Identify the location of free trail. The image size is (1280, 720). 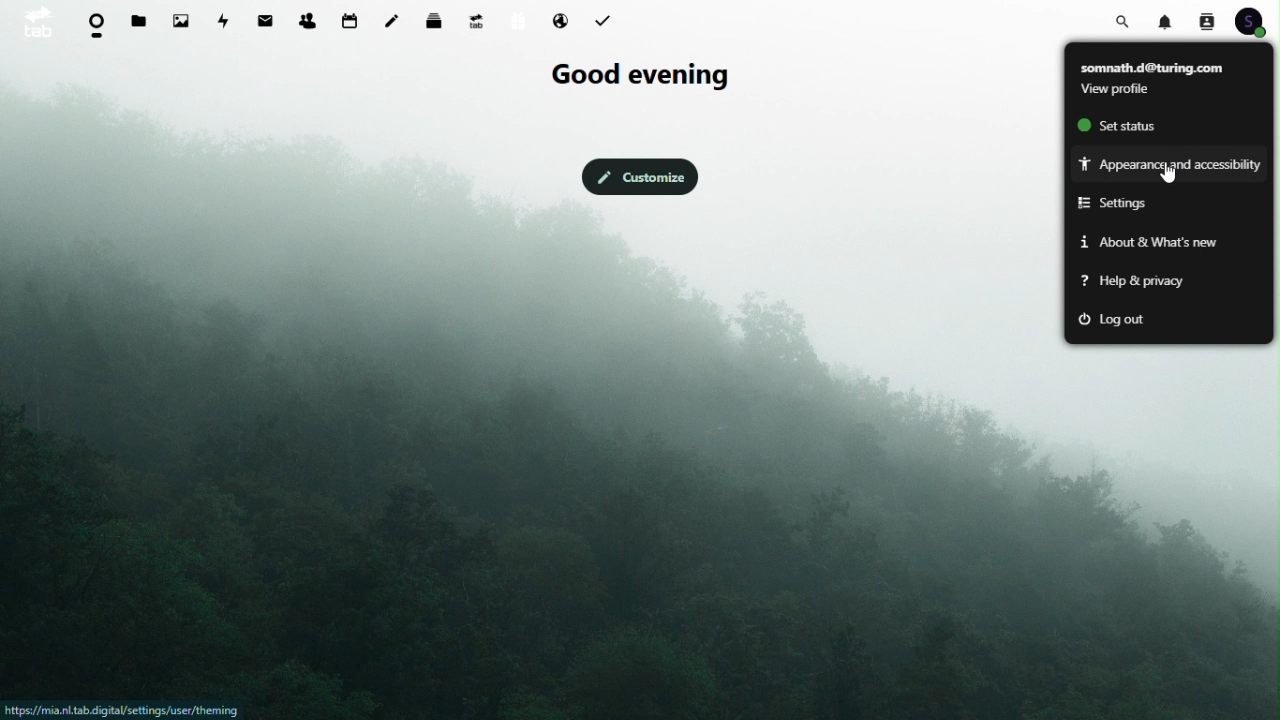
(514, 21).